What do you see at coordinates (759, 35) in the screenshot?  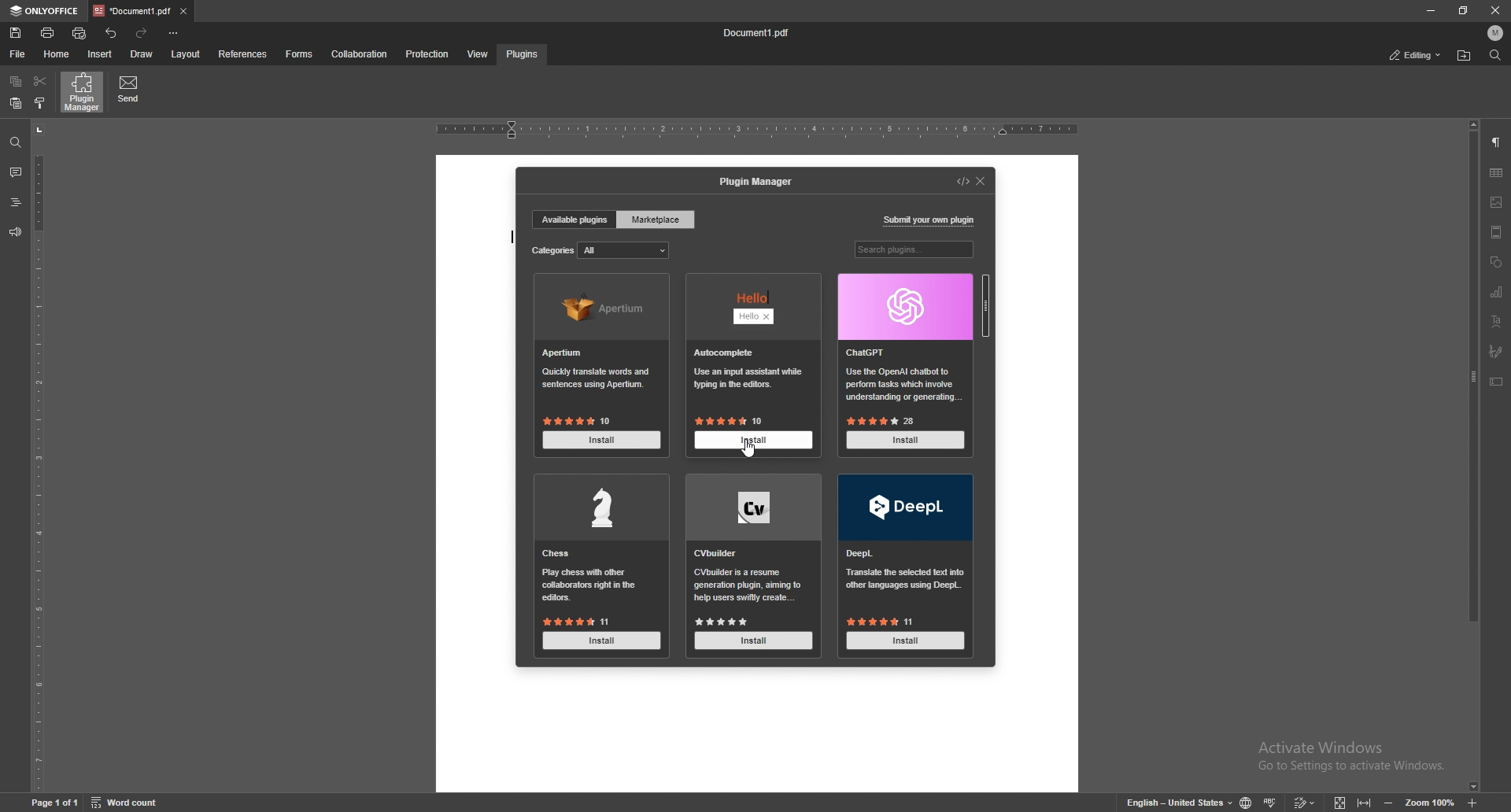 I see `Document1 pdf` at bounding box center [759, 35].